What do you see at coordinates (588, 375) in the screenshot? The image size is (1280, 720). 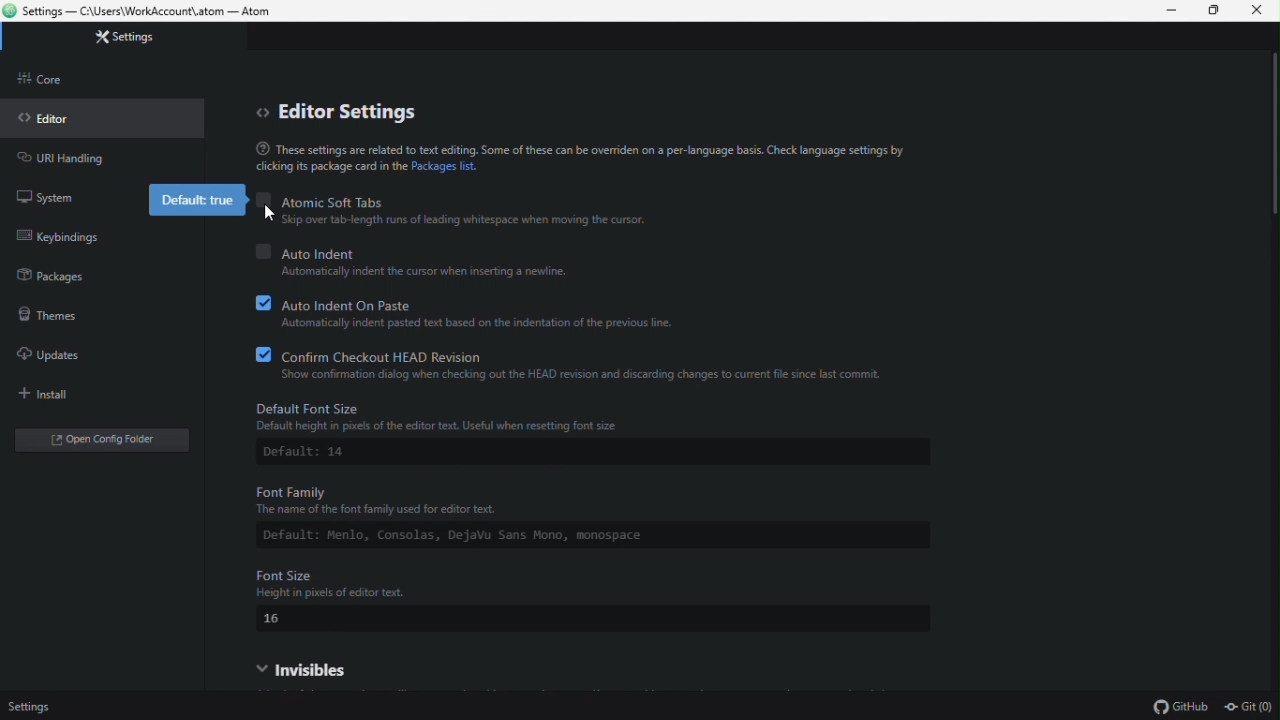 I see `‘Show confirmation dialog when checking out the HEAD revision and discarding changes to current file since last commit.` at bounding box center [588, 375].